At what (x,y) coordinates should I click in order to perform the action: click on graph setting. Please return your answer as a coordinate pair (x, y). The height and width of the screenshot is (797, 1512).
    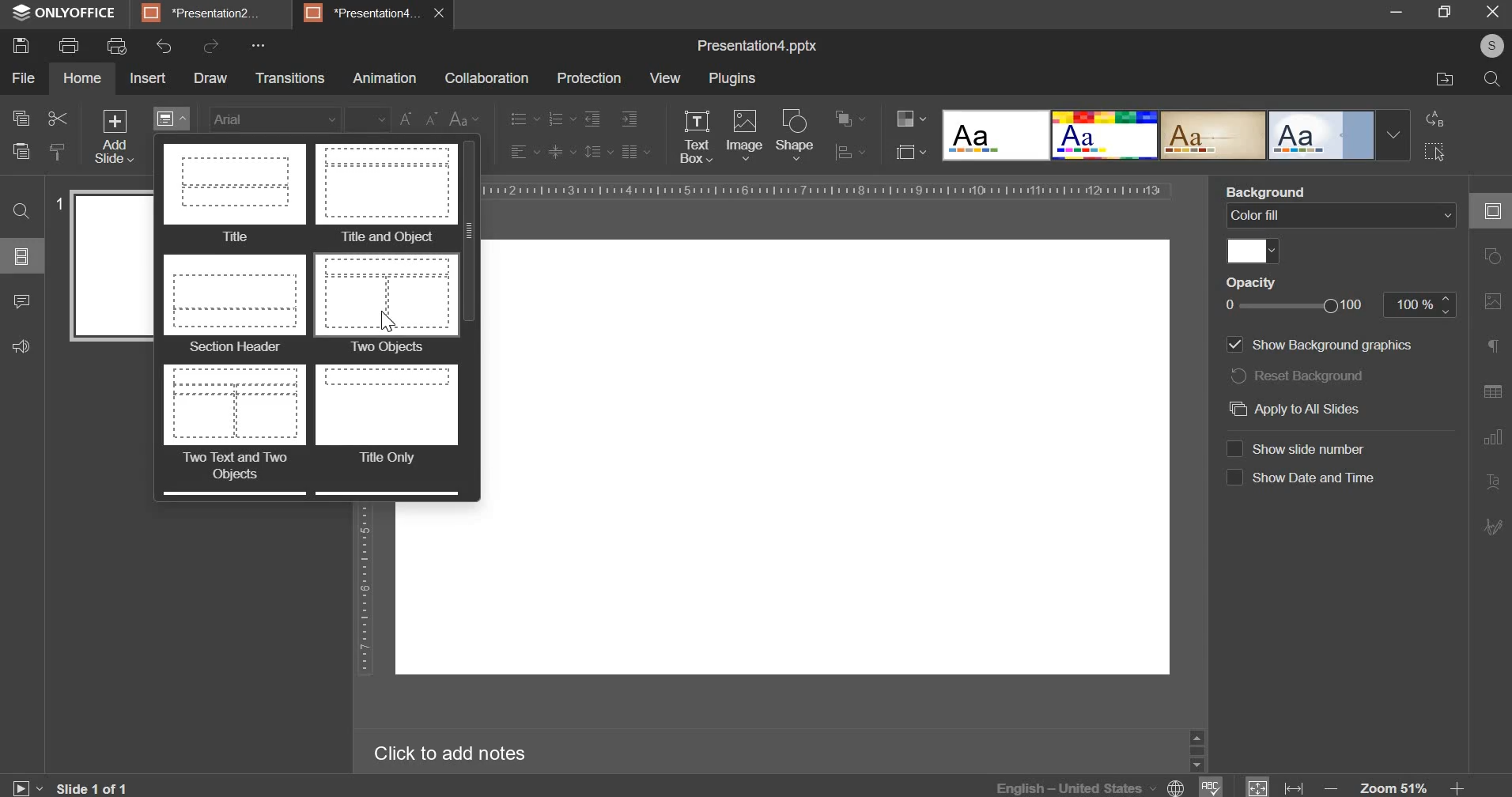
    Looking at the image, I should click on (1491, 436).